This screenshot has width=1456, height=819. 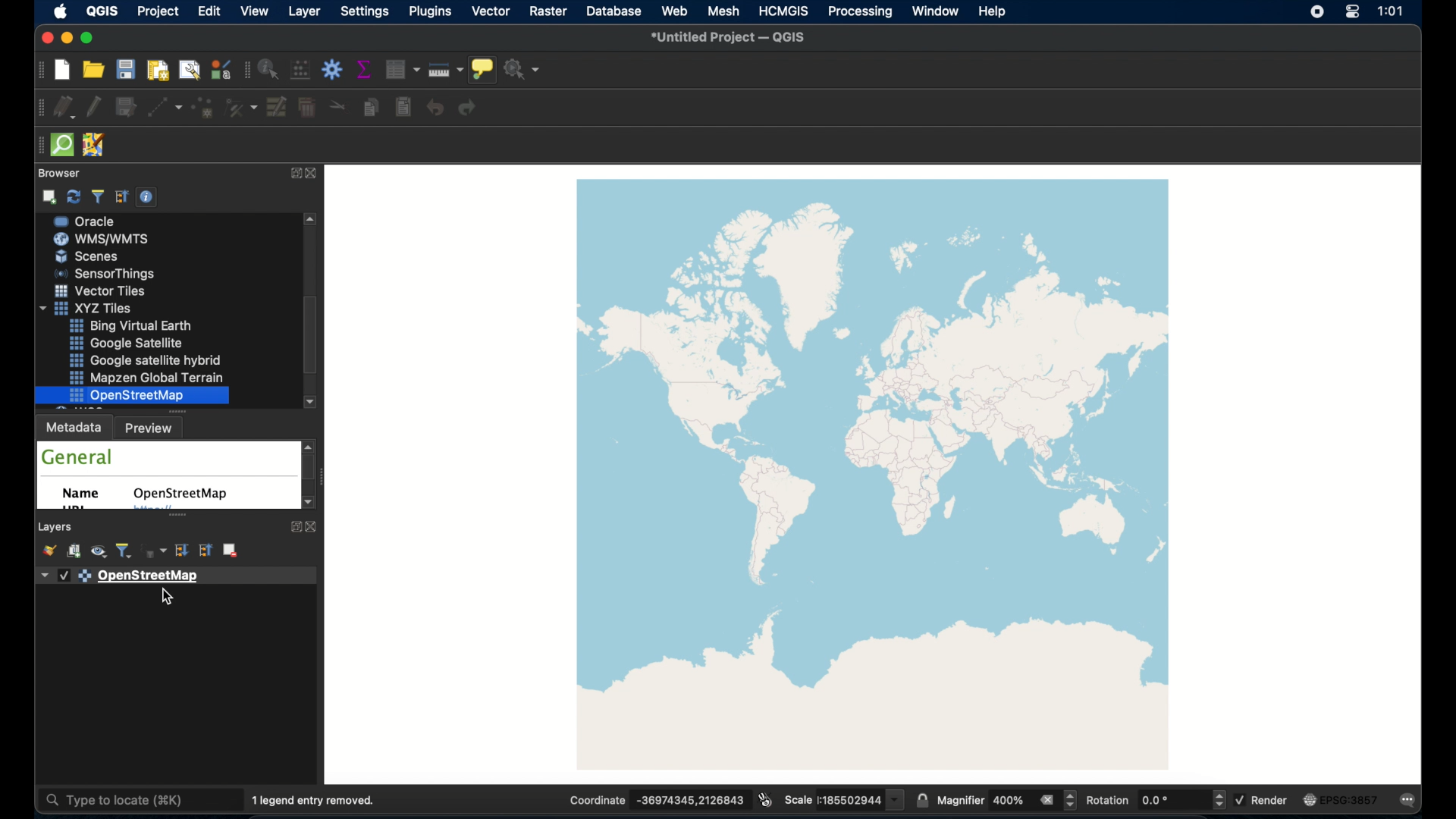 What do you see at coordinates (492, 11) in the screenshot?
I see `vector` at bounding box center [492, 11].